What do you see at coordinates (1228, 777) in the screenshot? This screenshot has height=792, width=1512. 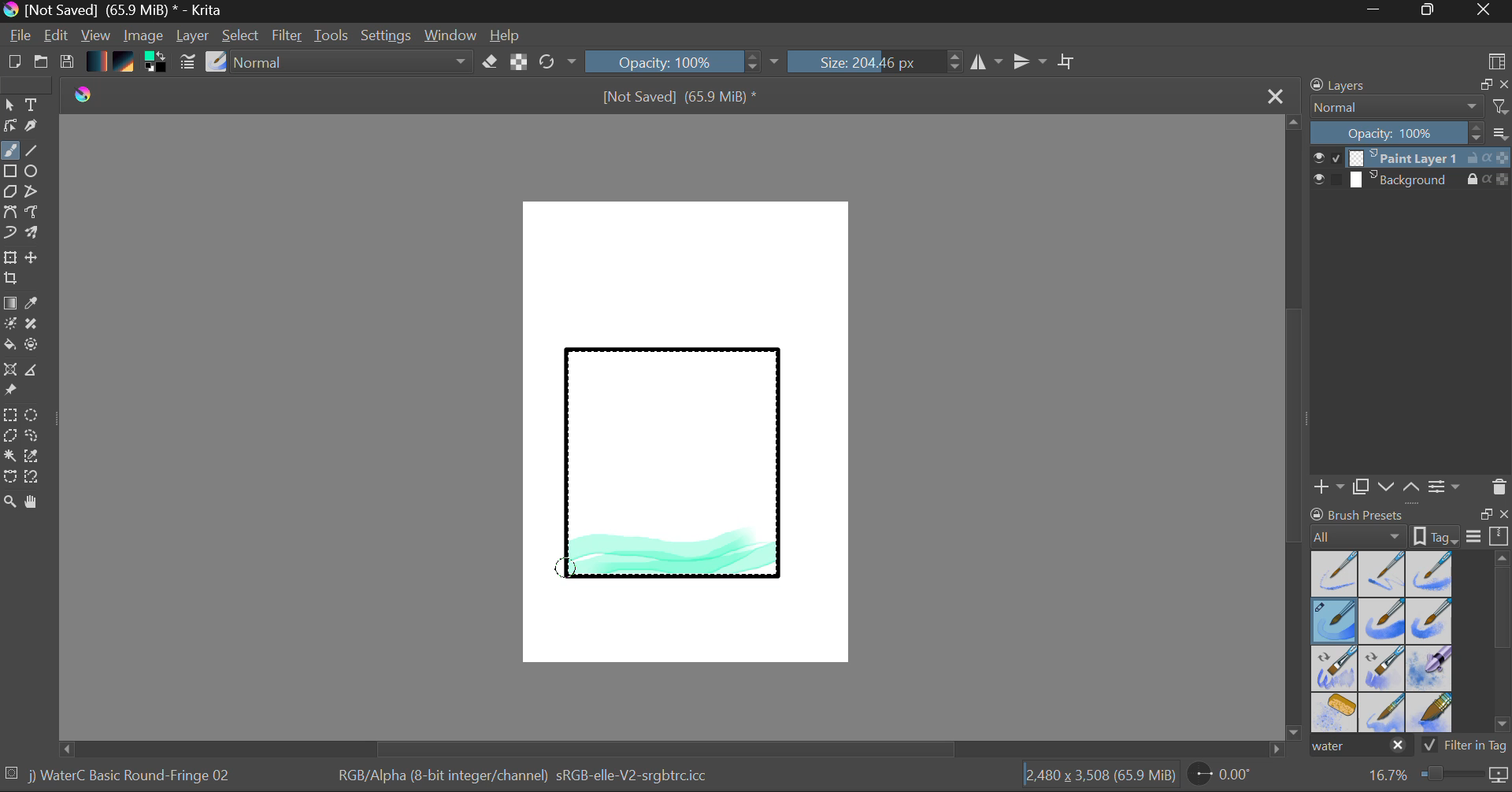 I see `Page Rotation` at bounding box center [1228, 777].